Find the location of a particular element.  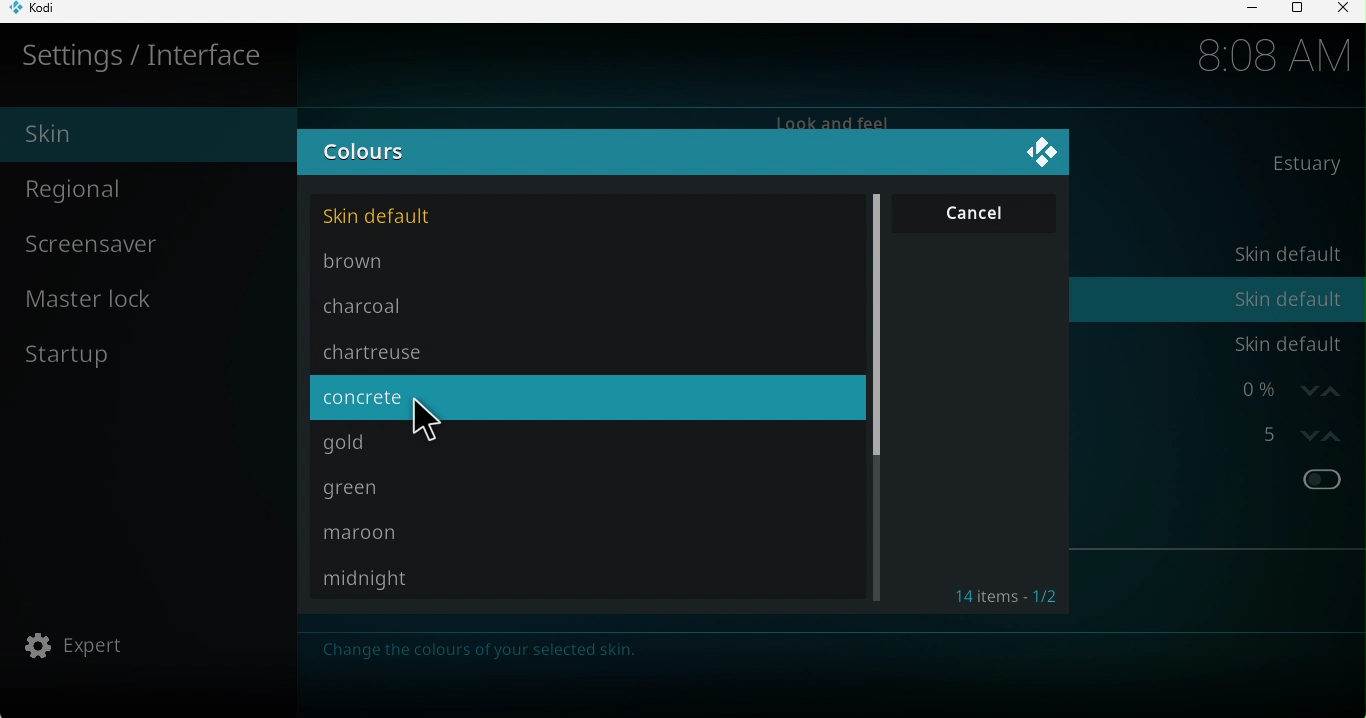

Cancel is located at coordinates (968, 215).